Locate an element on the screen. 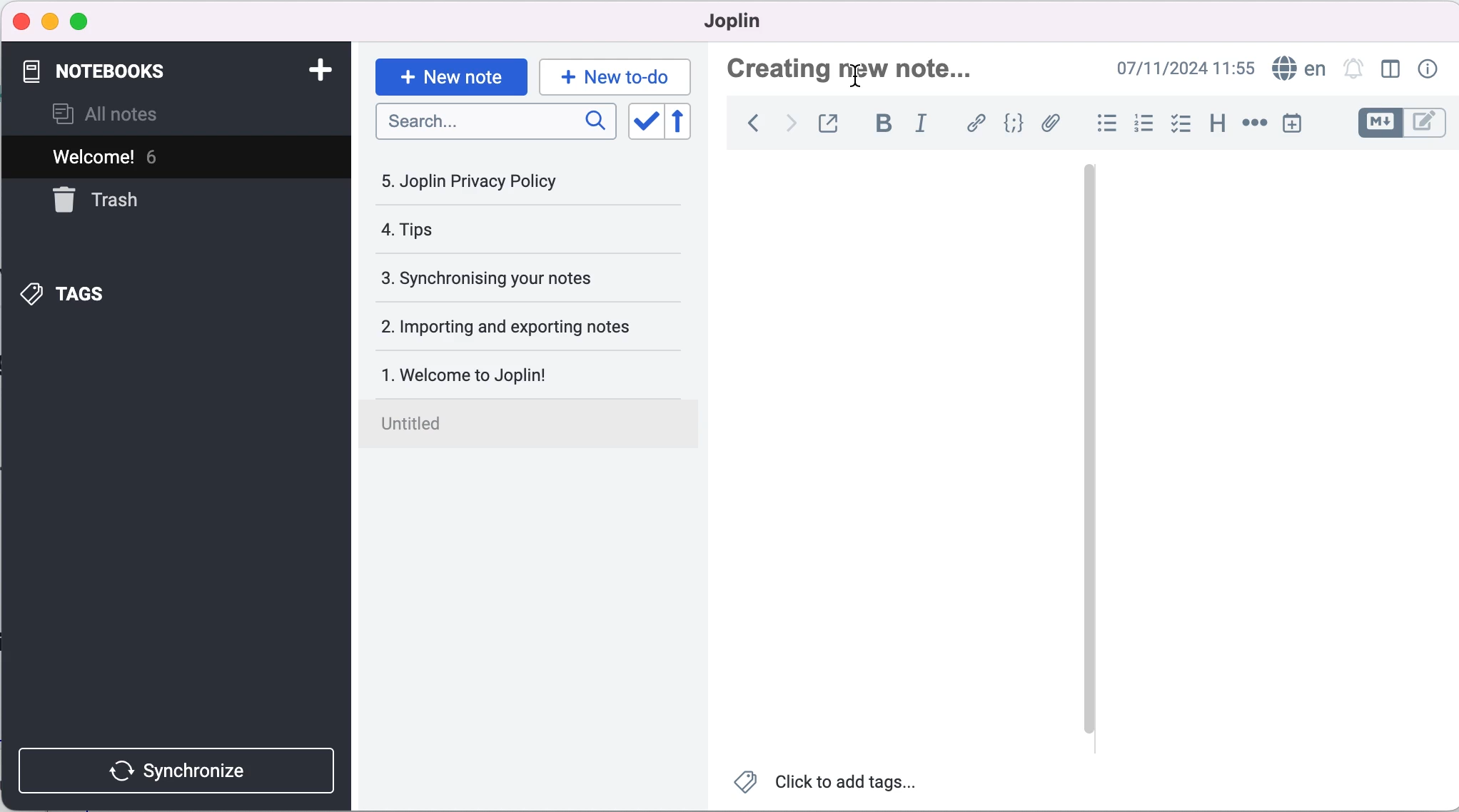 This screenshot has width=1459, height=812. tags is located at coordinates (106, 293).